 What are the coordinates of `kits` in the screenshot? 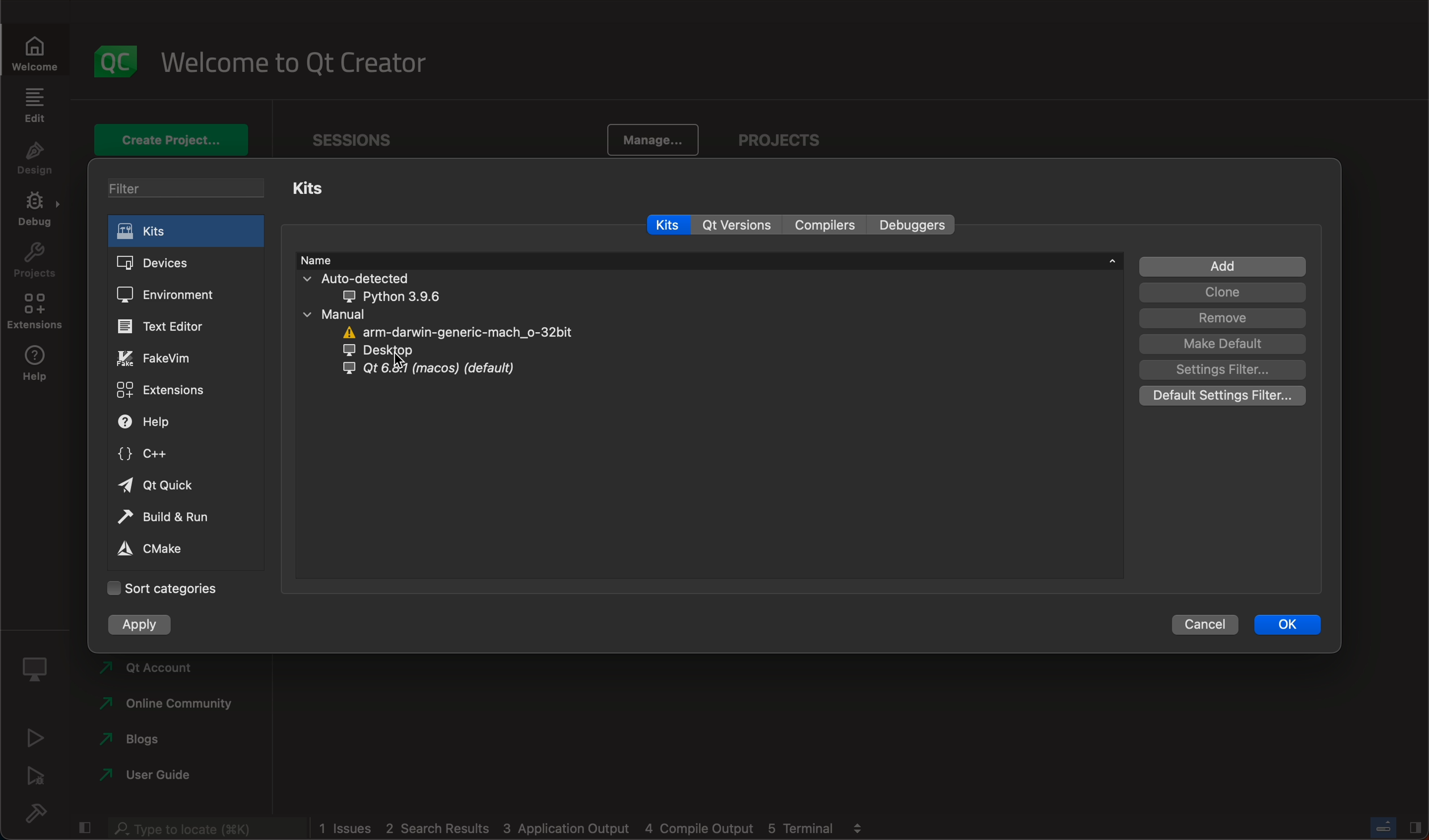 It's located at (669, 226).